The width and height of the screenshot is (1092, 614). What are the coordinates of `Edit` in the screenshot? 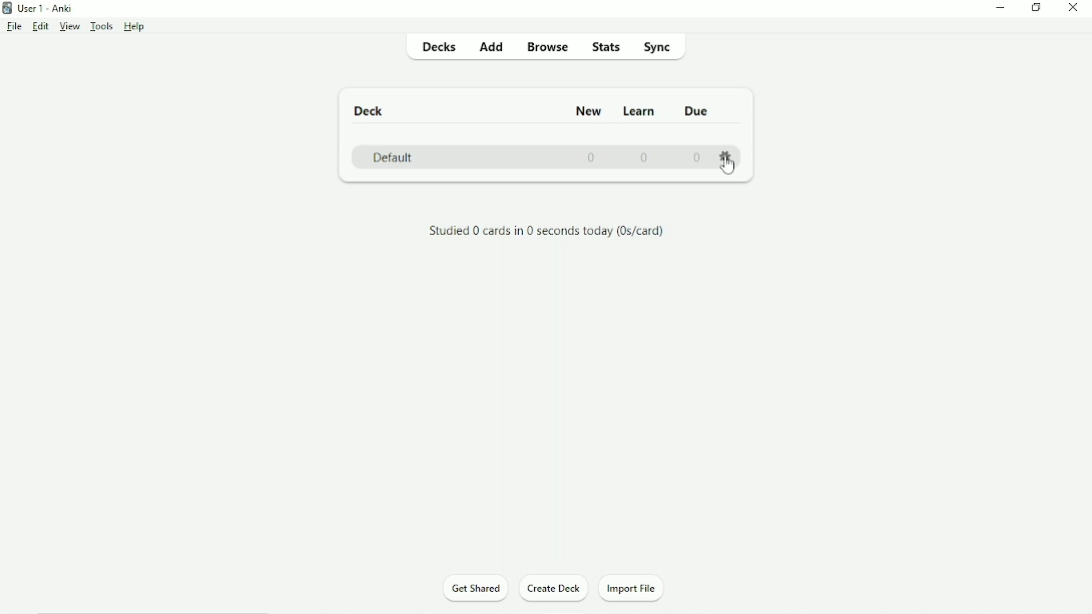 It's located at (41, 27).